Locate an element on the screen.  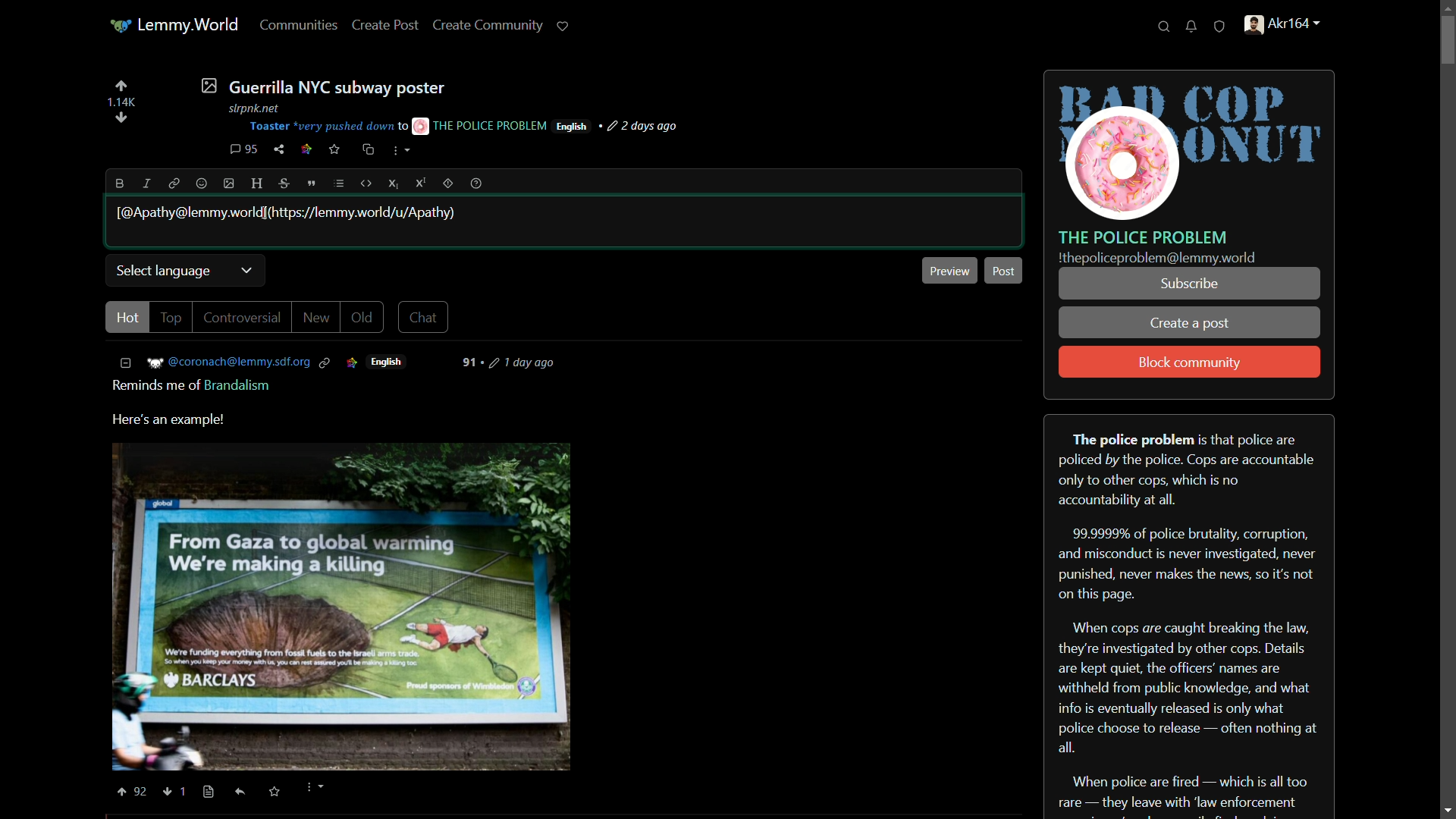
English is located at coordinates (391, 362).